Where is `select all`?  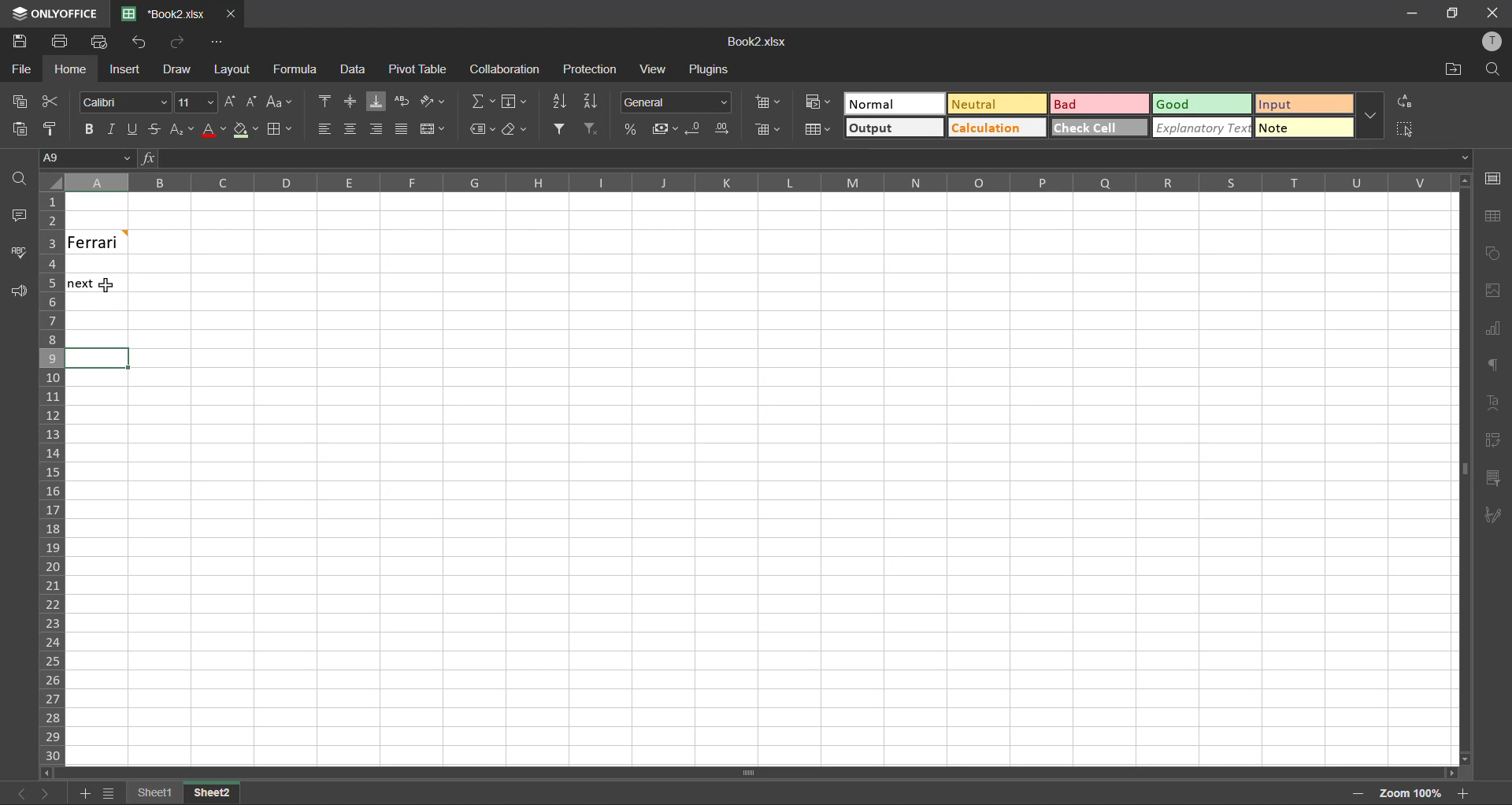
select all is located at coordinates (1406, 129).